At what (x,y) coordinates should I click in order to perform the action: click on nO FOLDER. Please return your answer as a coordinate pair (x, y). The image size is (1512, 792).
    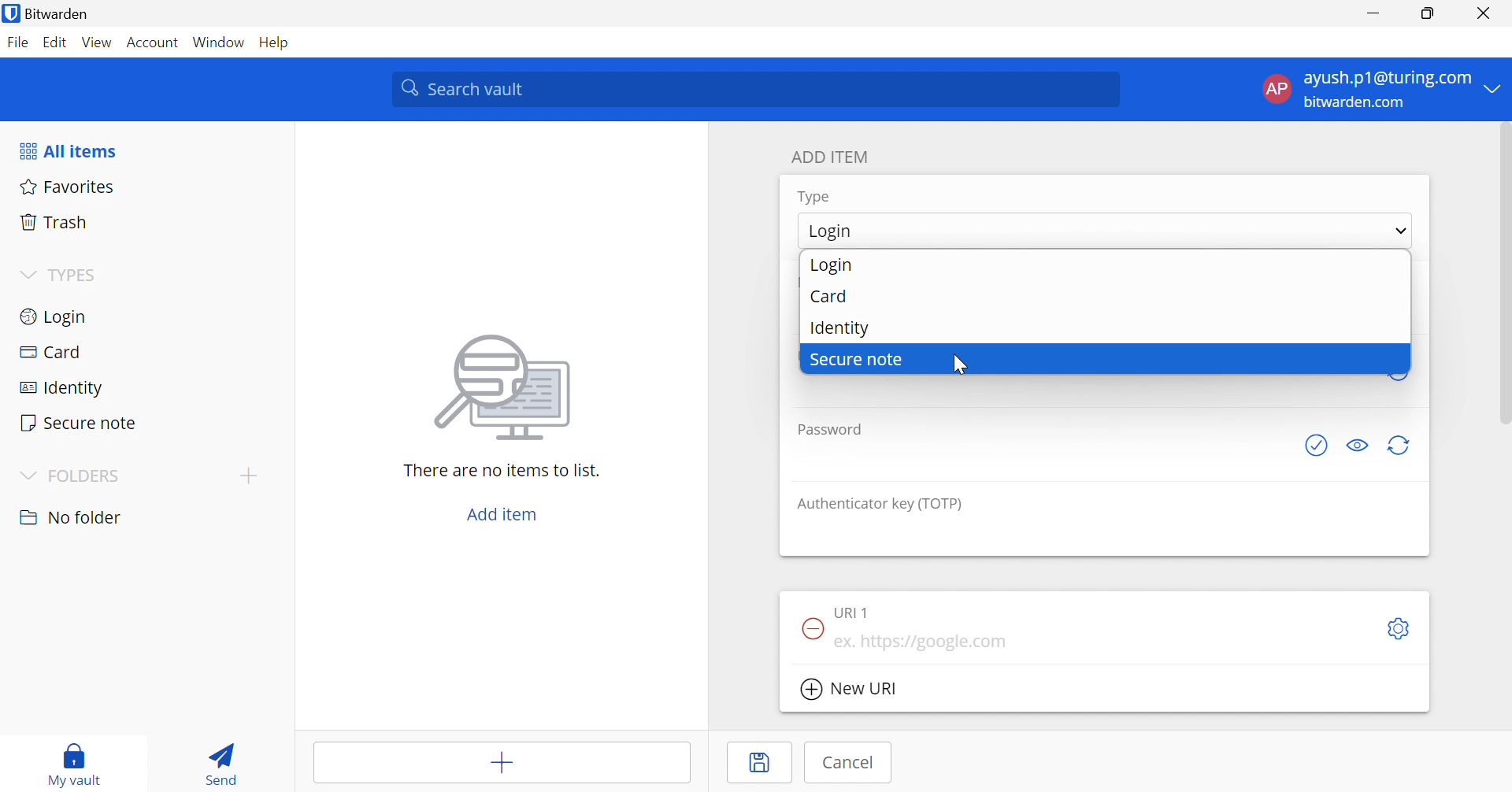
    Looking at the image, I should click on (74, 517).